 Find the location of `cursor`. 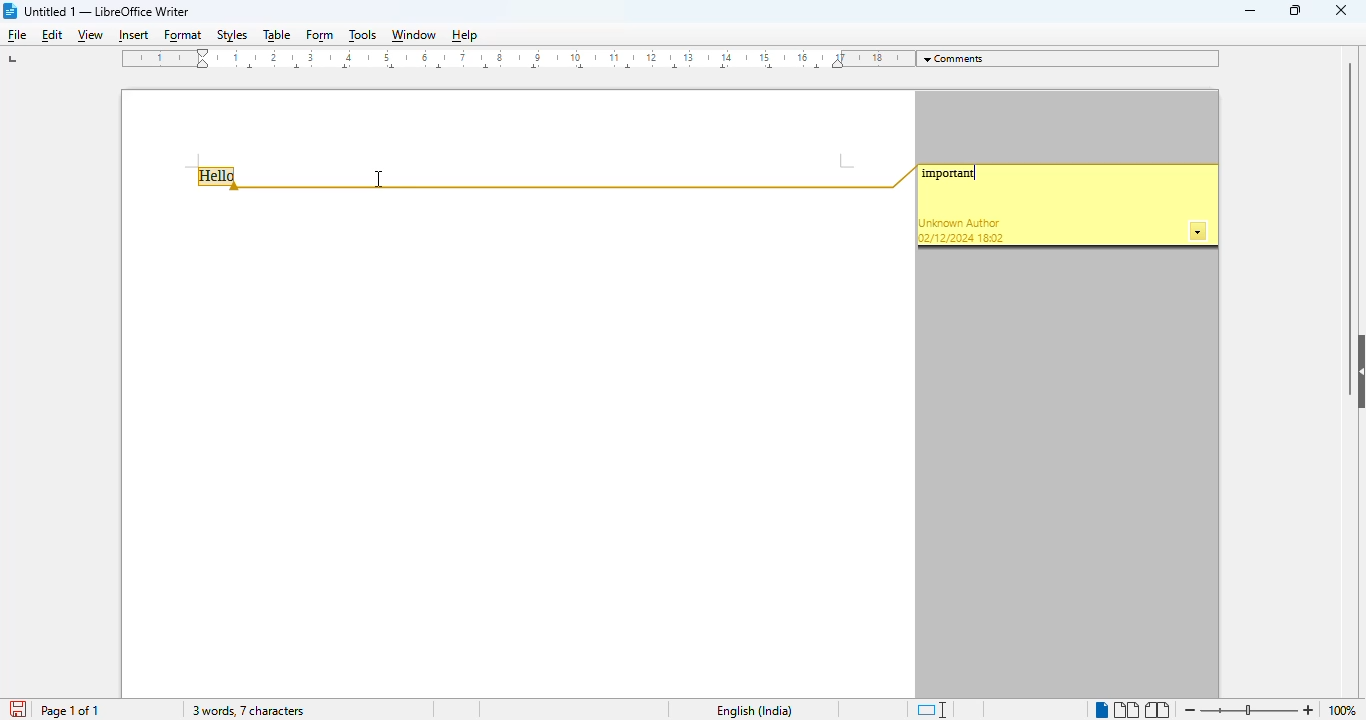

cursor is located at coordinates (378, 178).